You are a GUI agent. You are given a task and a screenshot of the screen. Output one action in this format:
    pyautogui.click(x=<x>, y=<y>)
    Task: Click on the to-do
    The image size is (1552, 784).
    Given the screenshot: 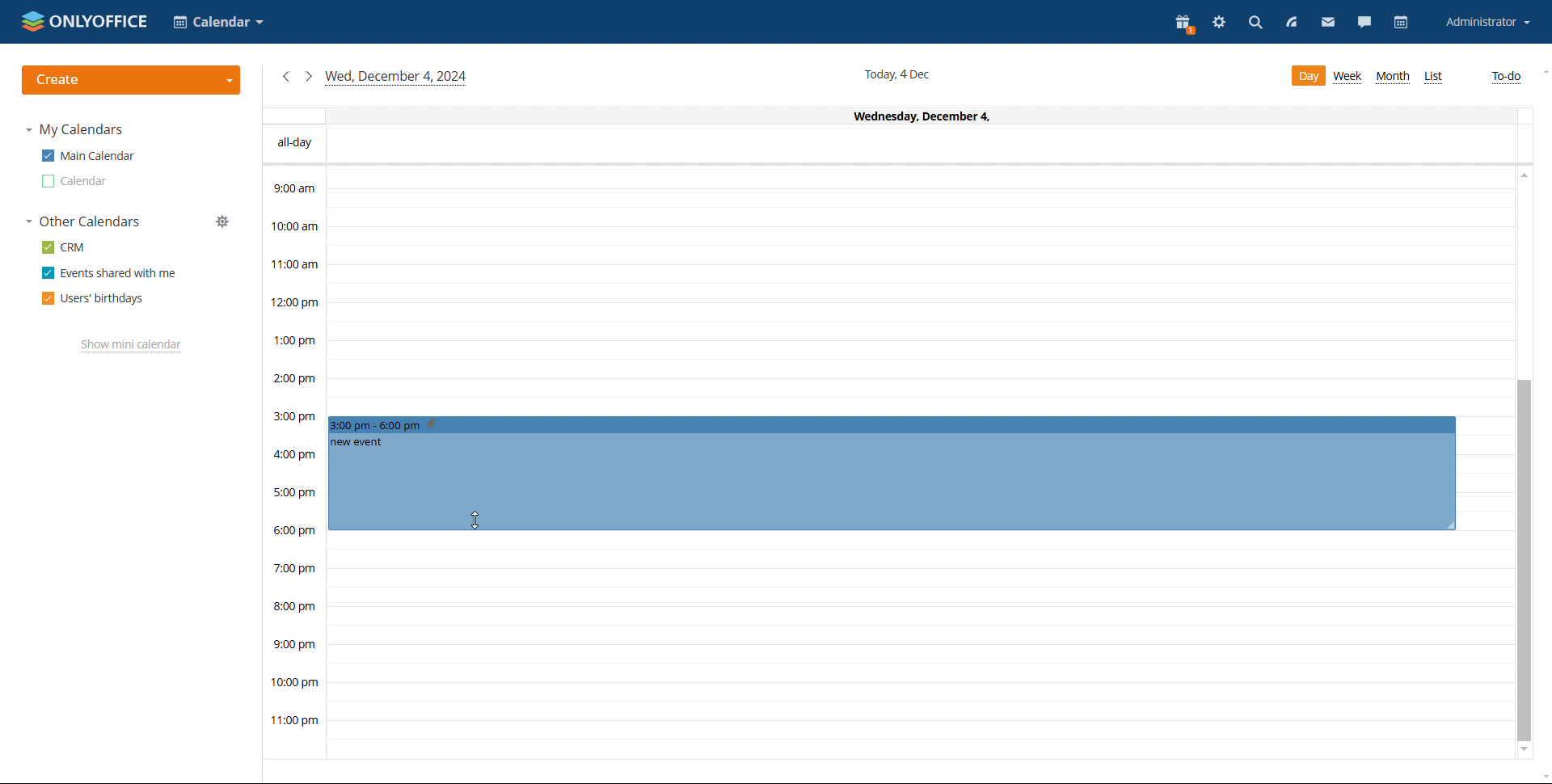 What is the action you would take?
    pyautogui.click(x=1506, y=78)
    